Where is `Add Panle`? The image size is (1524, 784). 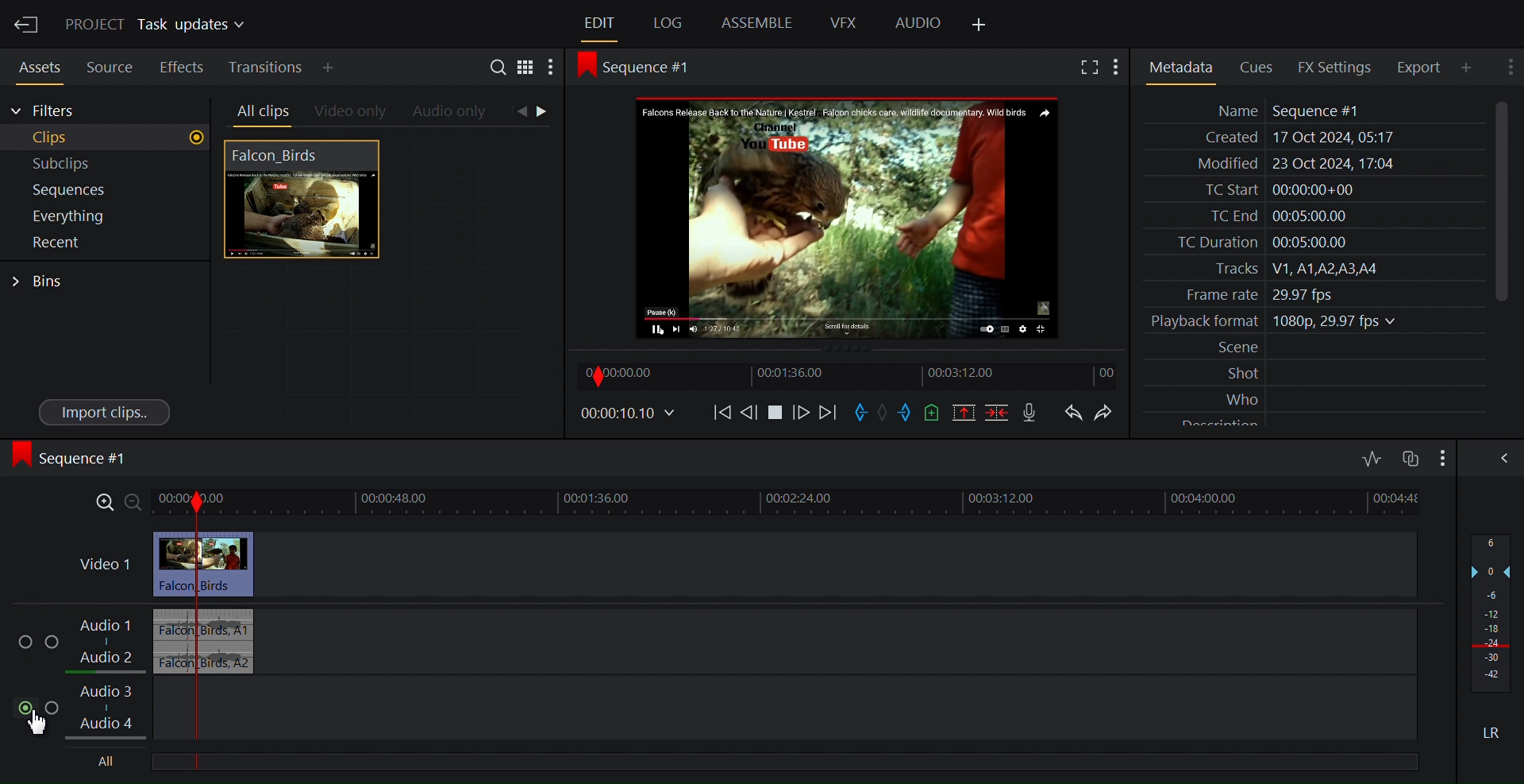
Add Panle is located at coordinates (1471, 67).